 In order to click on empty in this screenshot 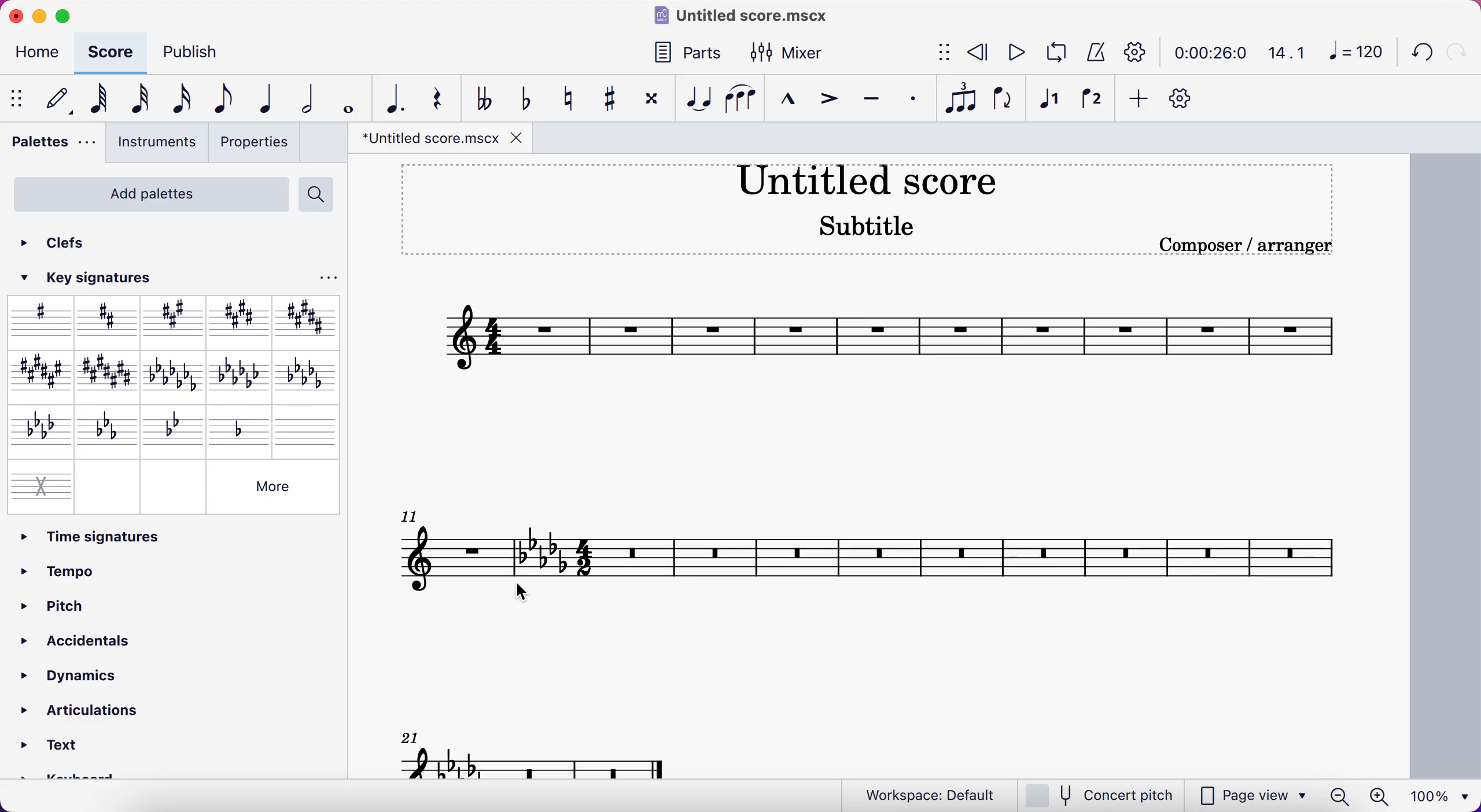, I will do `click(109, 485)`.